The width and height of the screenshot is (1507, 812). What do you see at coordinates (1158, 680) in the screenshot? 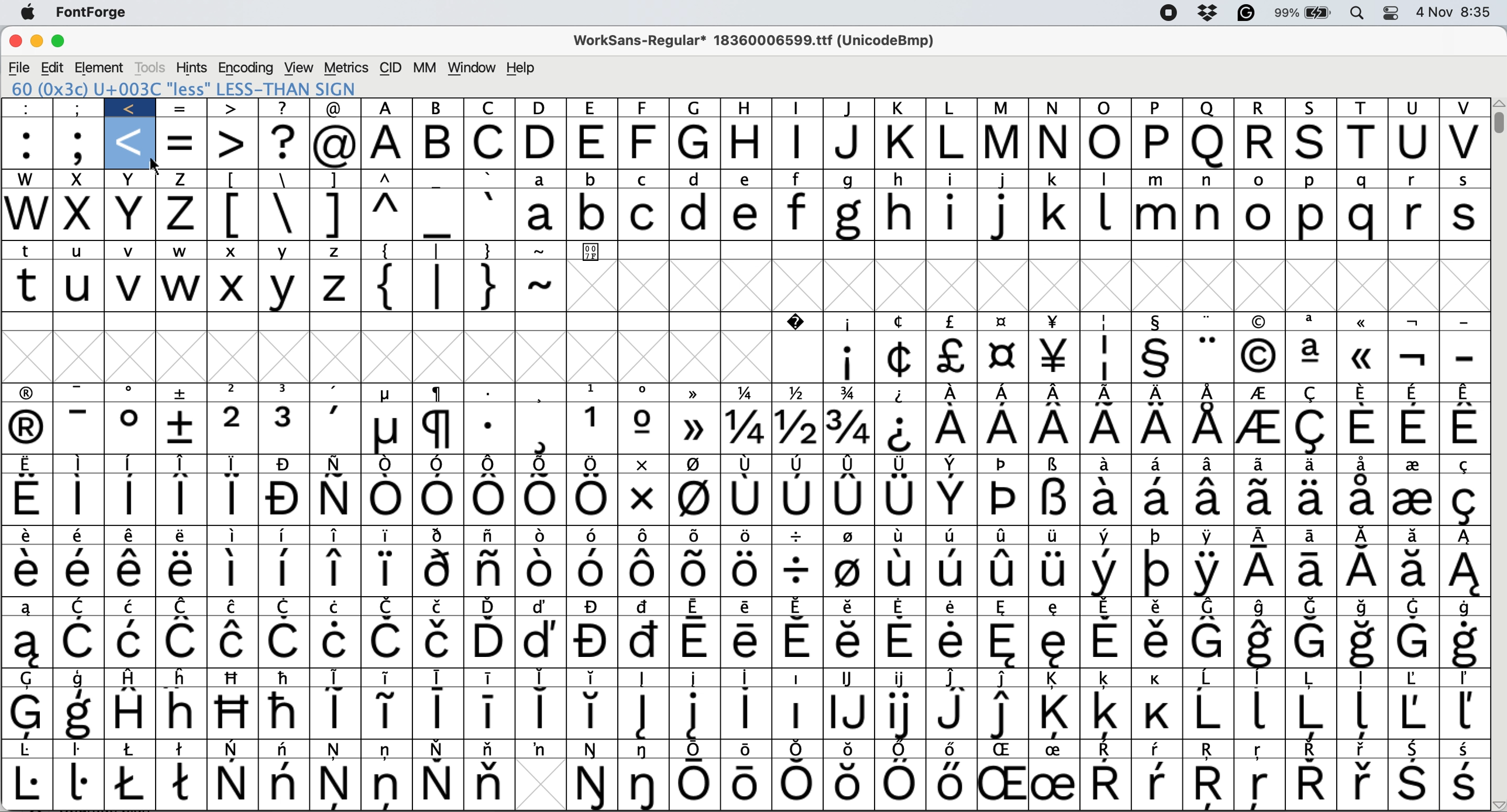
I see `Symbol` at bounding box center [1158, 680].